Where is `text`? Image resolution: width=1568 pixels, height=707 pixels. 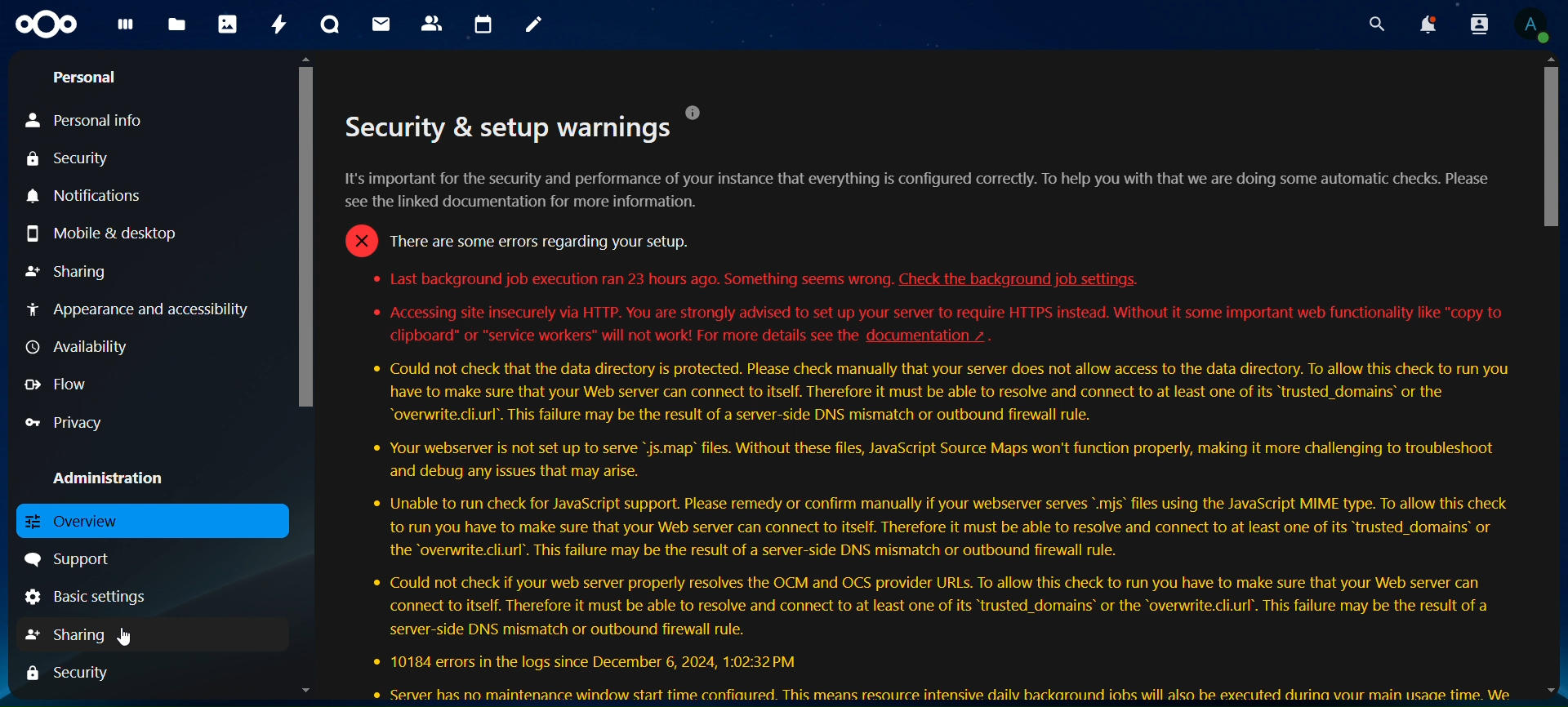 text is located at coordinates (931, 402).